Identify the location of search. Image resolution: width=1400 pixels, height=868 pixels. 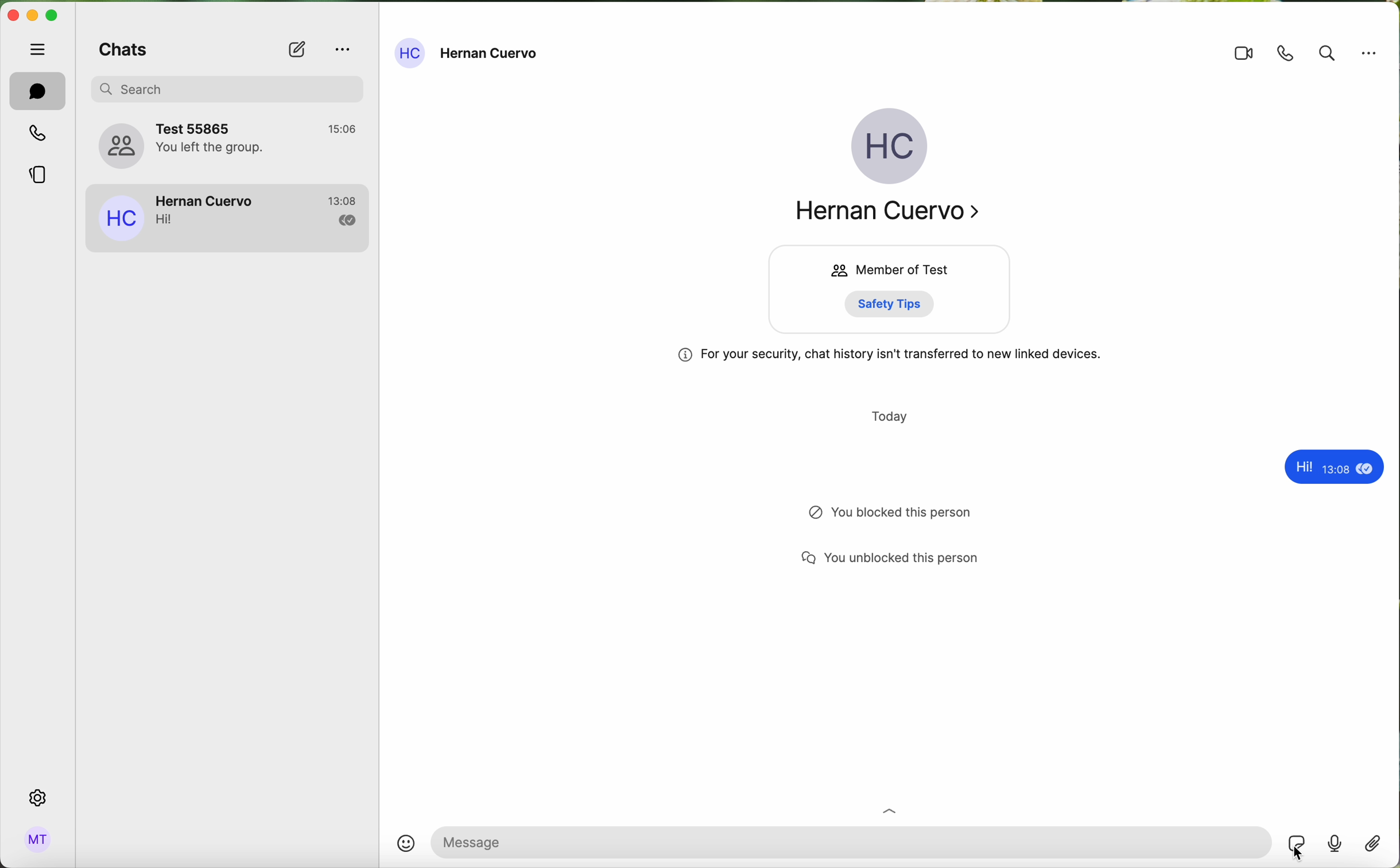
(1327, 53).